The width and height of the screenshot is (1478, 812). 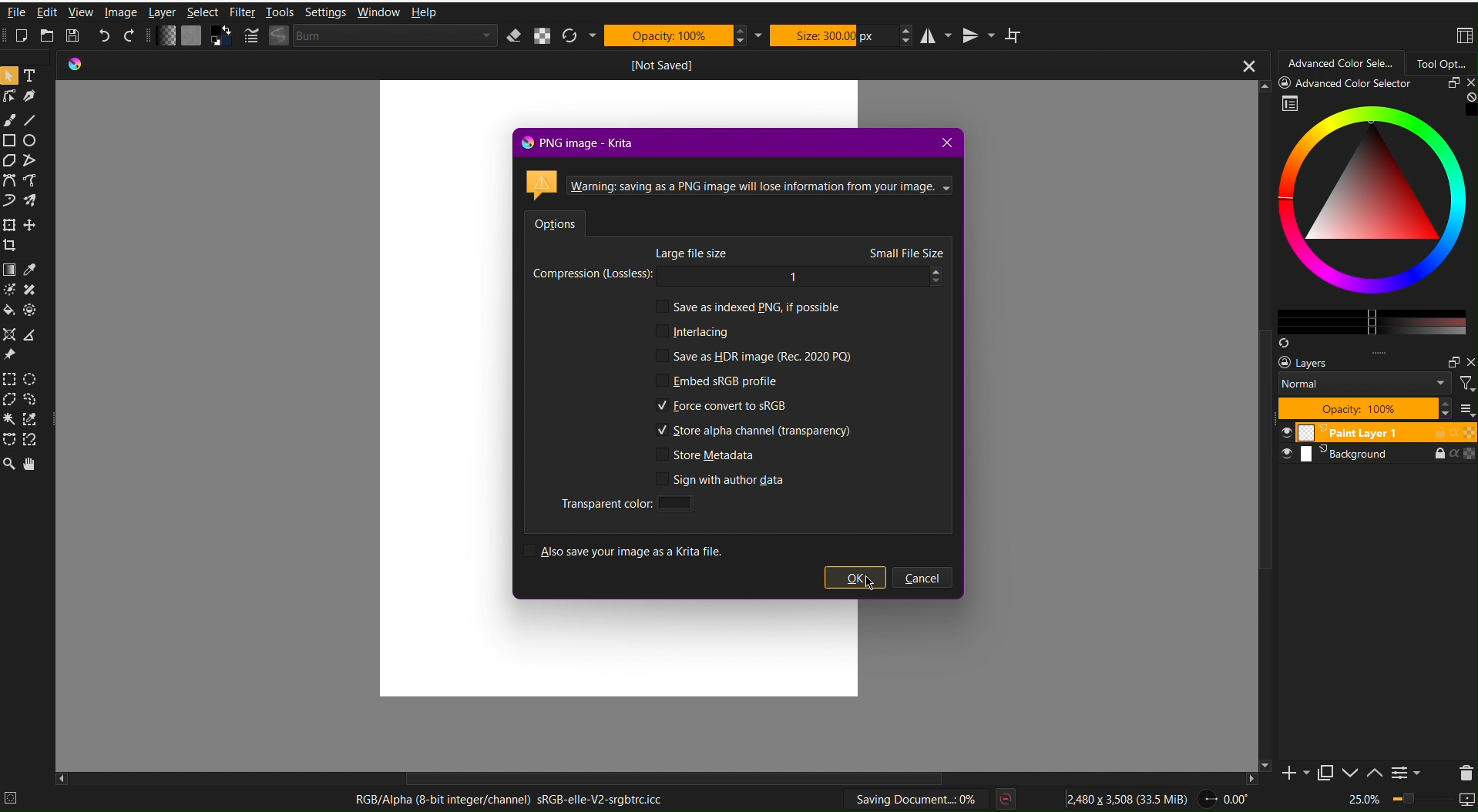 I want to click on Workspace, so click(x=1463, y=37).